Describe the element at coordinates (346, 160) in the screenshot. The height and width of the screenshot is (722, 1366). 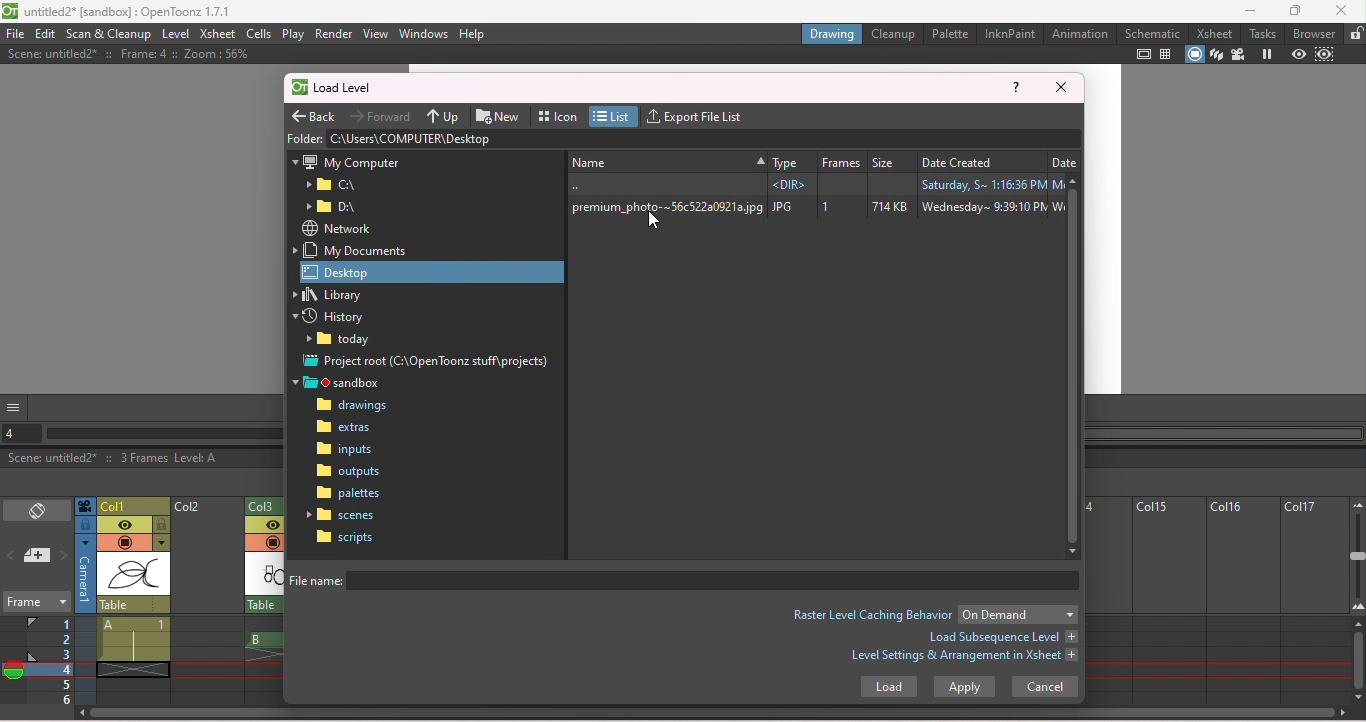
I see `My computer` at that location.